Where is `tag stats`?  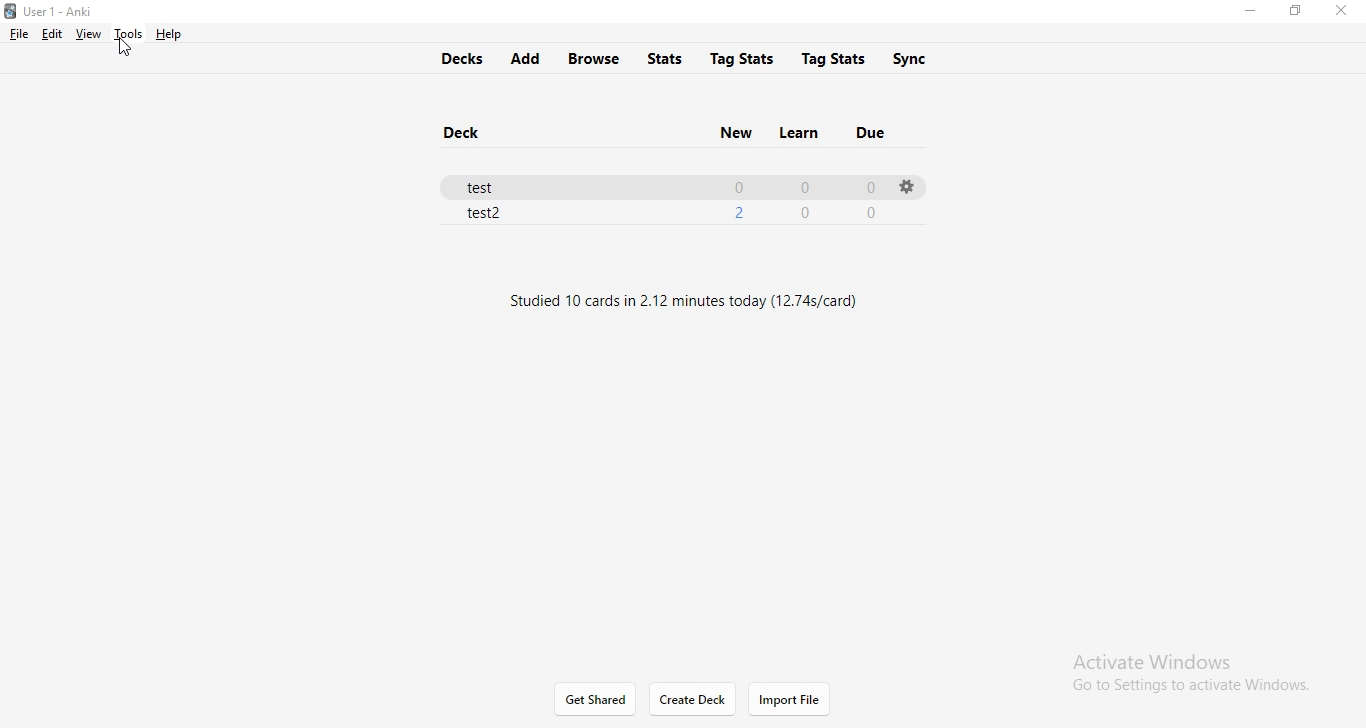 tag stats is located at coordinates (737, 59).